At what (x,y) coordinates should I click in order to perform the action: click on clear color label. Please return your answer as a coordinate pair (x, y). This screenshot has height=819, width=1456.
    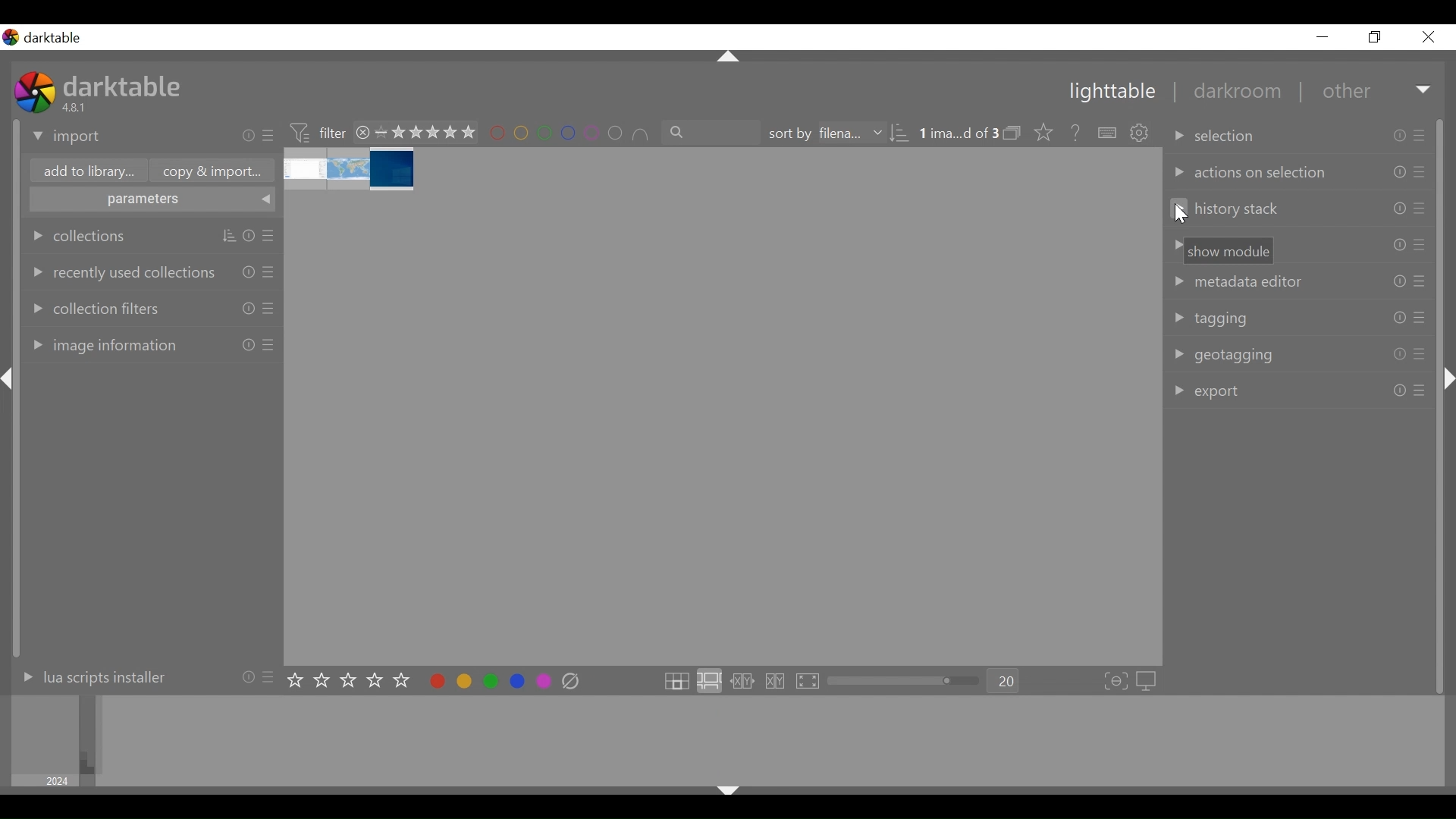
    Looking at the image, I should click on (575, 682).